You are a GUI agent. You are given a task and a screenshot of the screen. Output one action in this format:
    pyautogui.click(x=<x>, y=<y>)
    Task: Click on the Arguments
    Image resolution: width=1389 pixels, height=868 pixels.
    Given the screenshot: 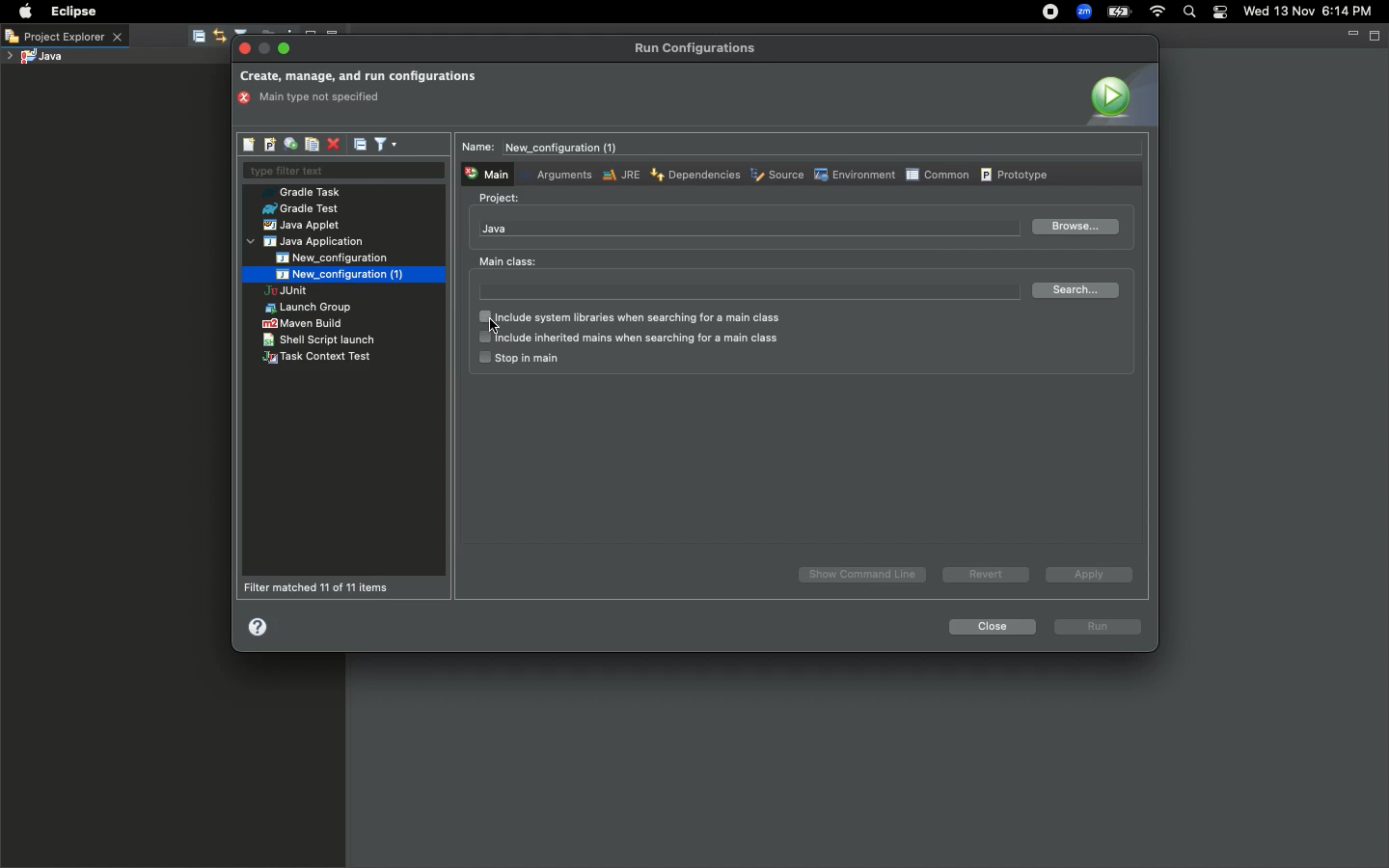 What is the action you would take?
    pyautogui.click(x=560, y=174)
    